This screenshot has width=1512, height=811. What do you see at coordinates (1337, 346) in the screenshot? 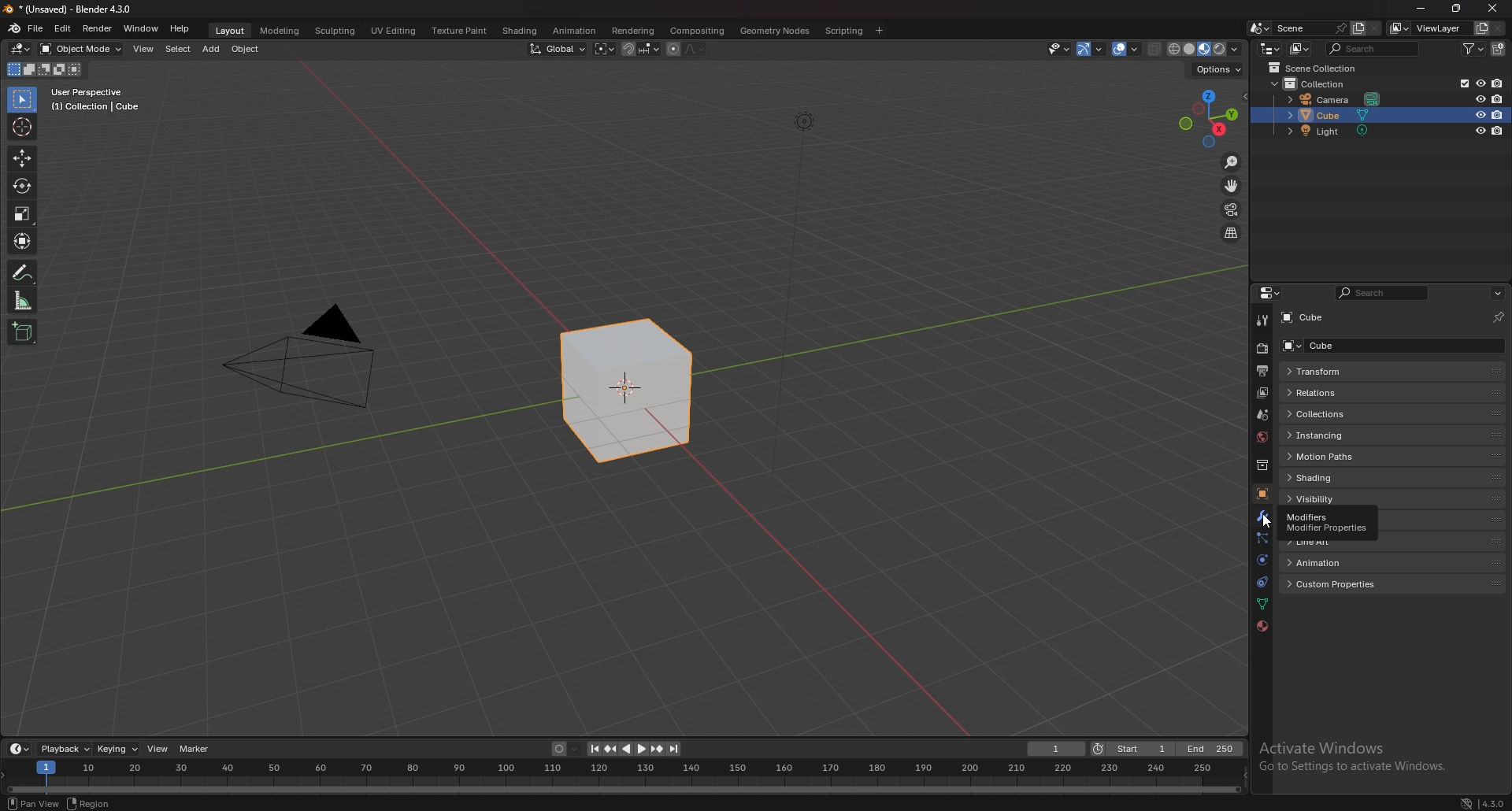
I see `cube` at bounding box center [1337, 346].